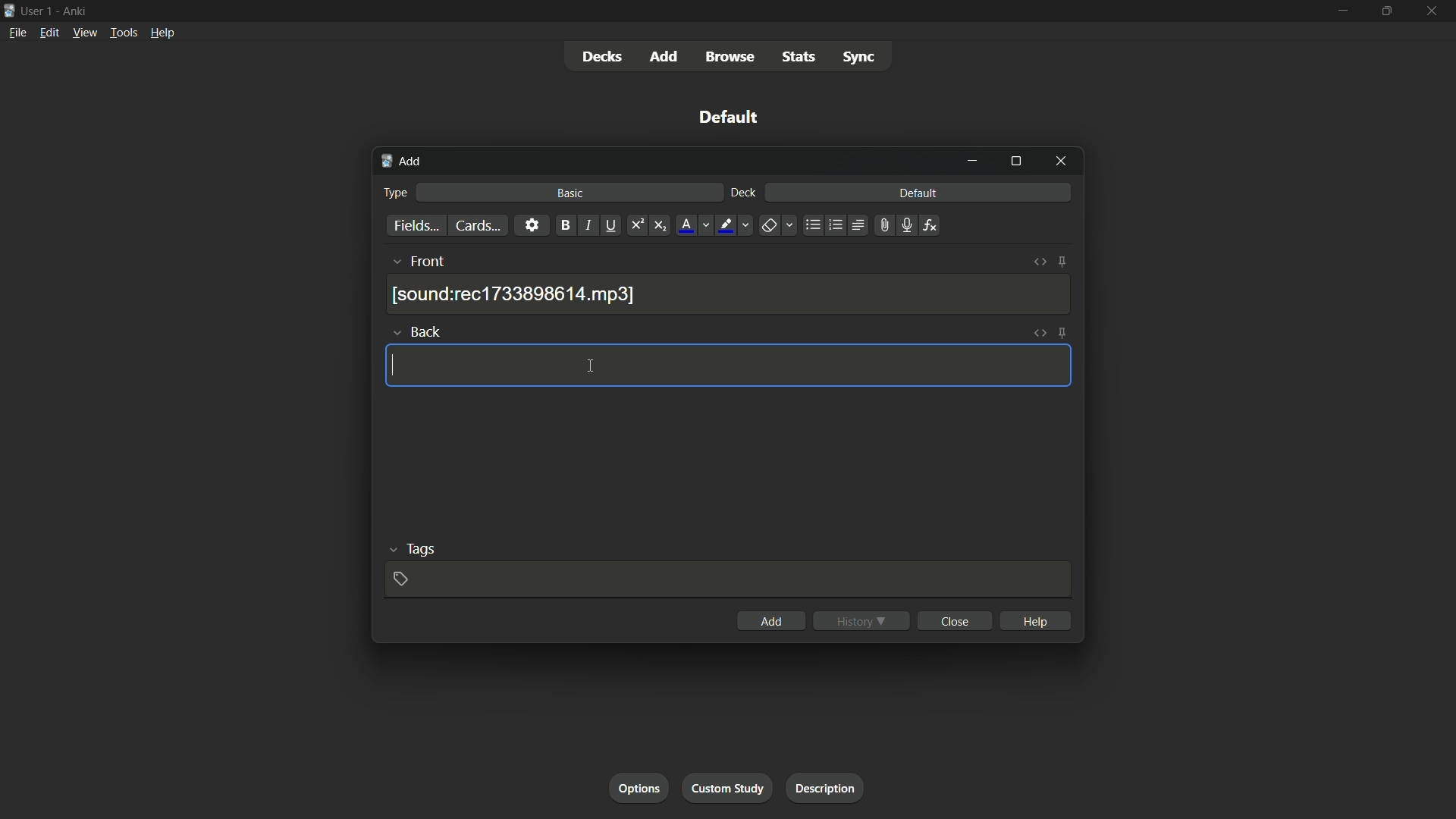  Describe the element at coordinates (49, 33) in the screenshot. I see `edit menu` at that location.